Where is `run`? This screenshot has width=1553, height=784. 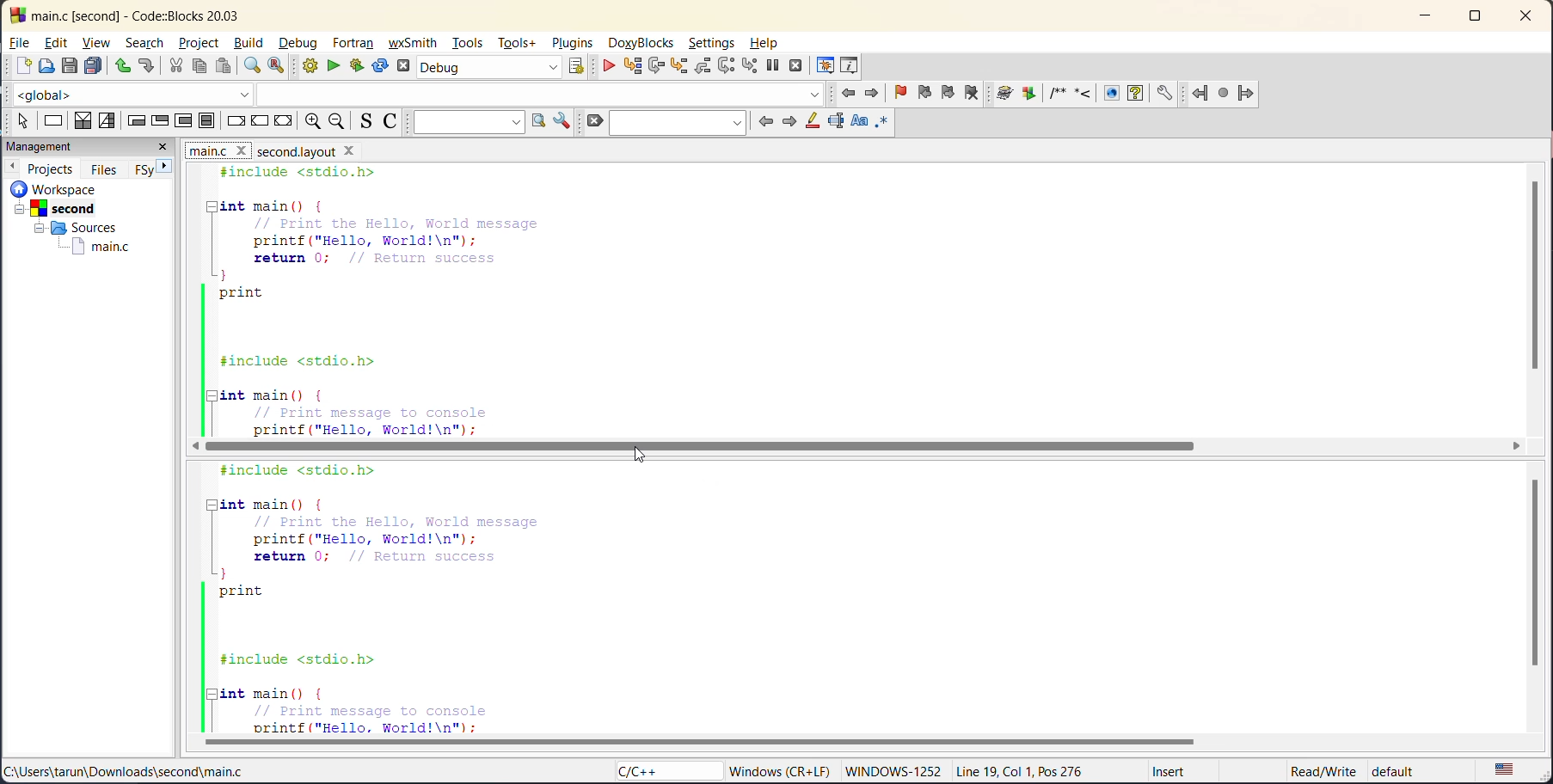
run is located at coordinates (334, 65).